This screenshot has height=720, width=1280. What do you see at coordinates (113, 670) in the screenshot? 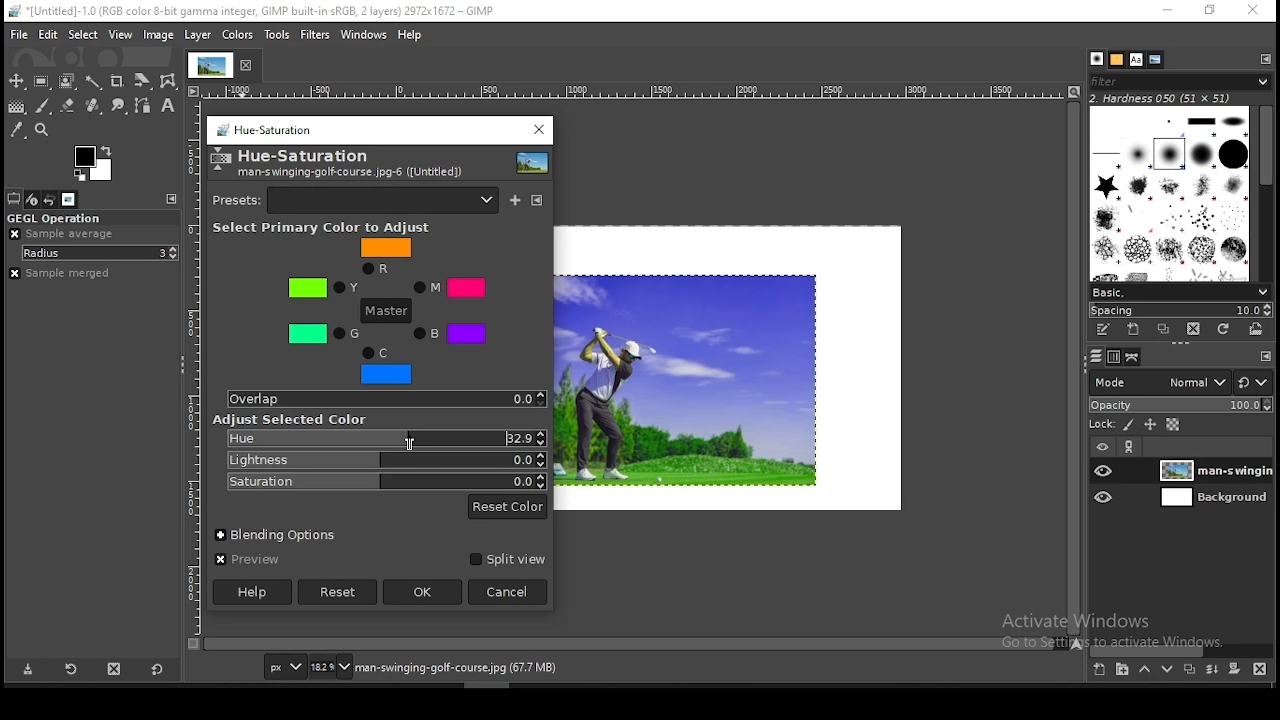
I see `delete tool preset` at bounding box center [113, 670].